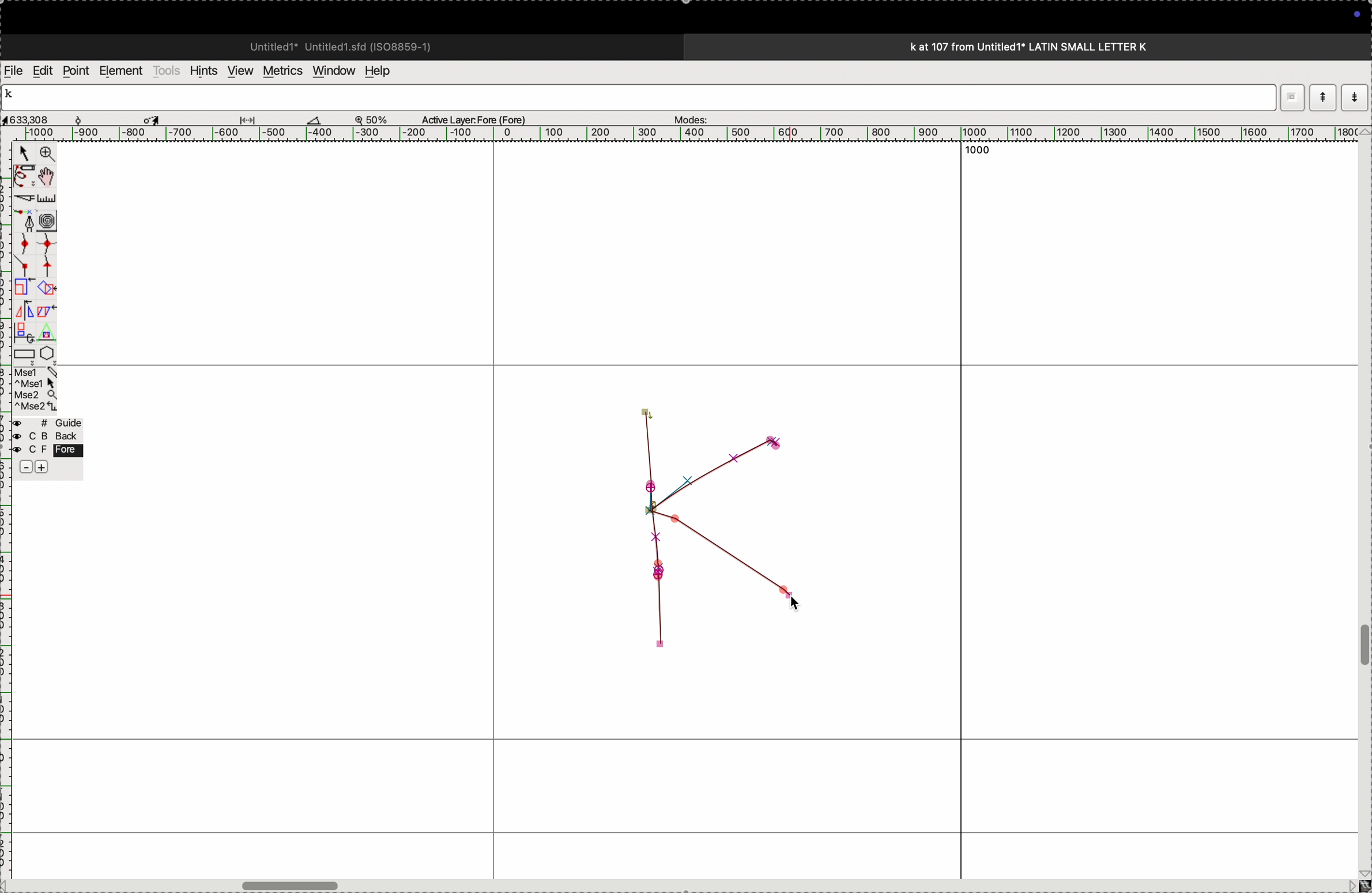 This screenshot has width=1372, height=893. I want to click on point, so click(76, 71).